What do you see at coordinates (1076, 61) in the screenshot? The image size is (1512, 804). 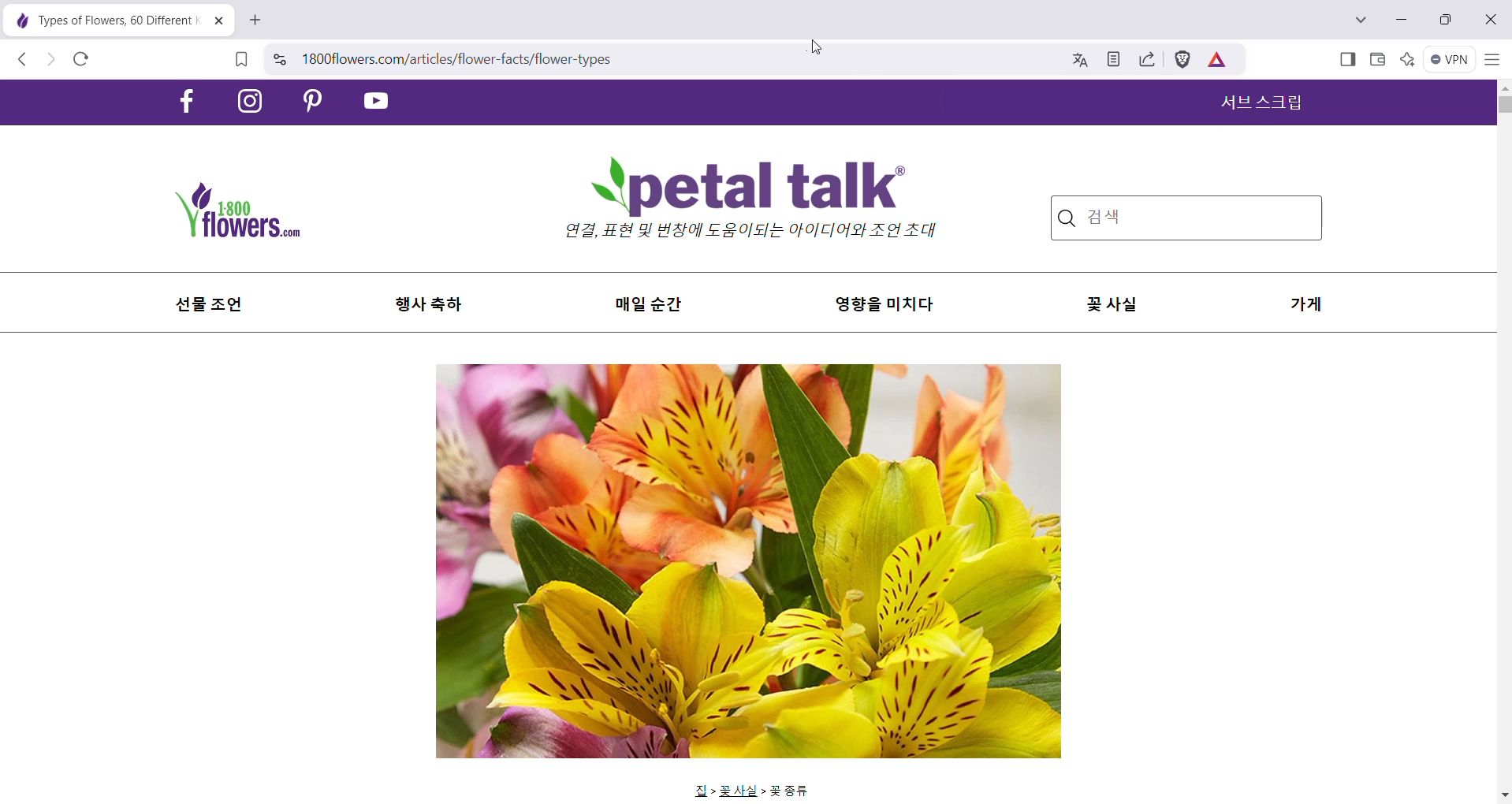 I see `Translate this page` at bounding box center [1076, 61].